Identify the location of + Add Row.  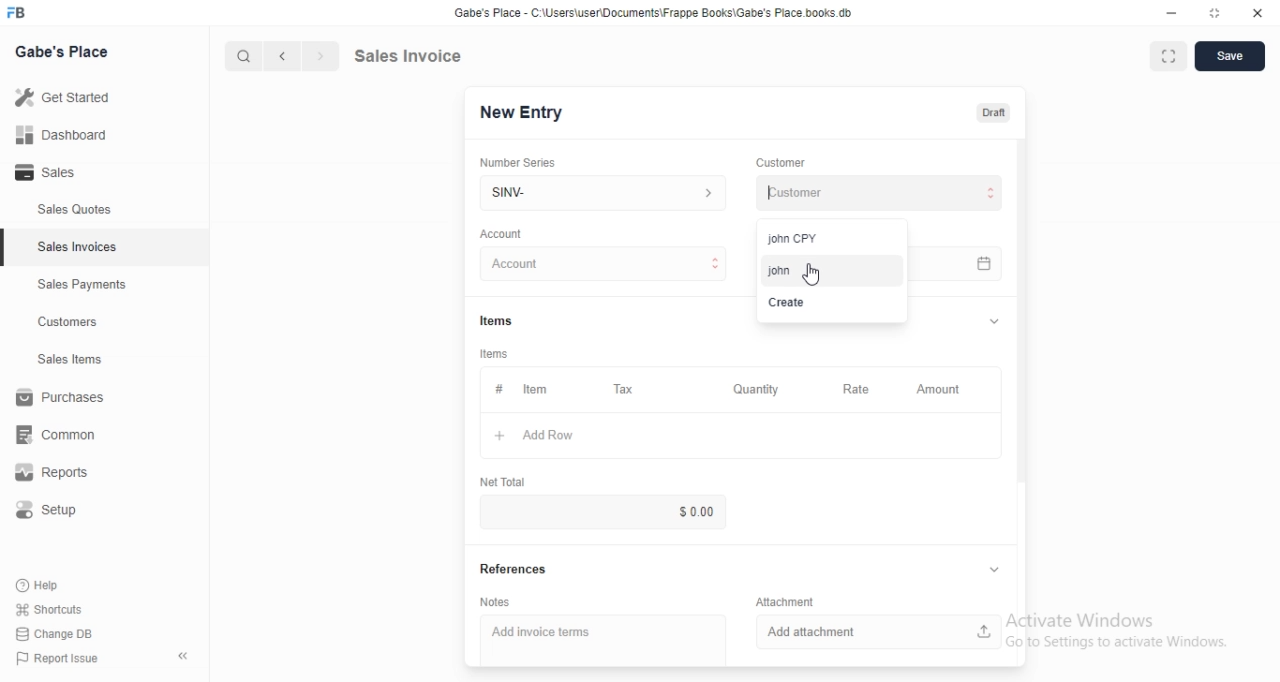
(557, 436).